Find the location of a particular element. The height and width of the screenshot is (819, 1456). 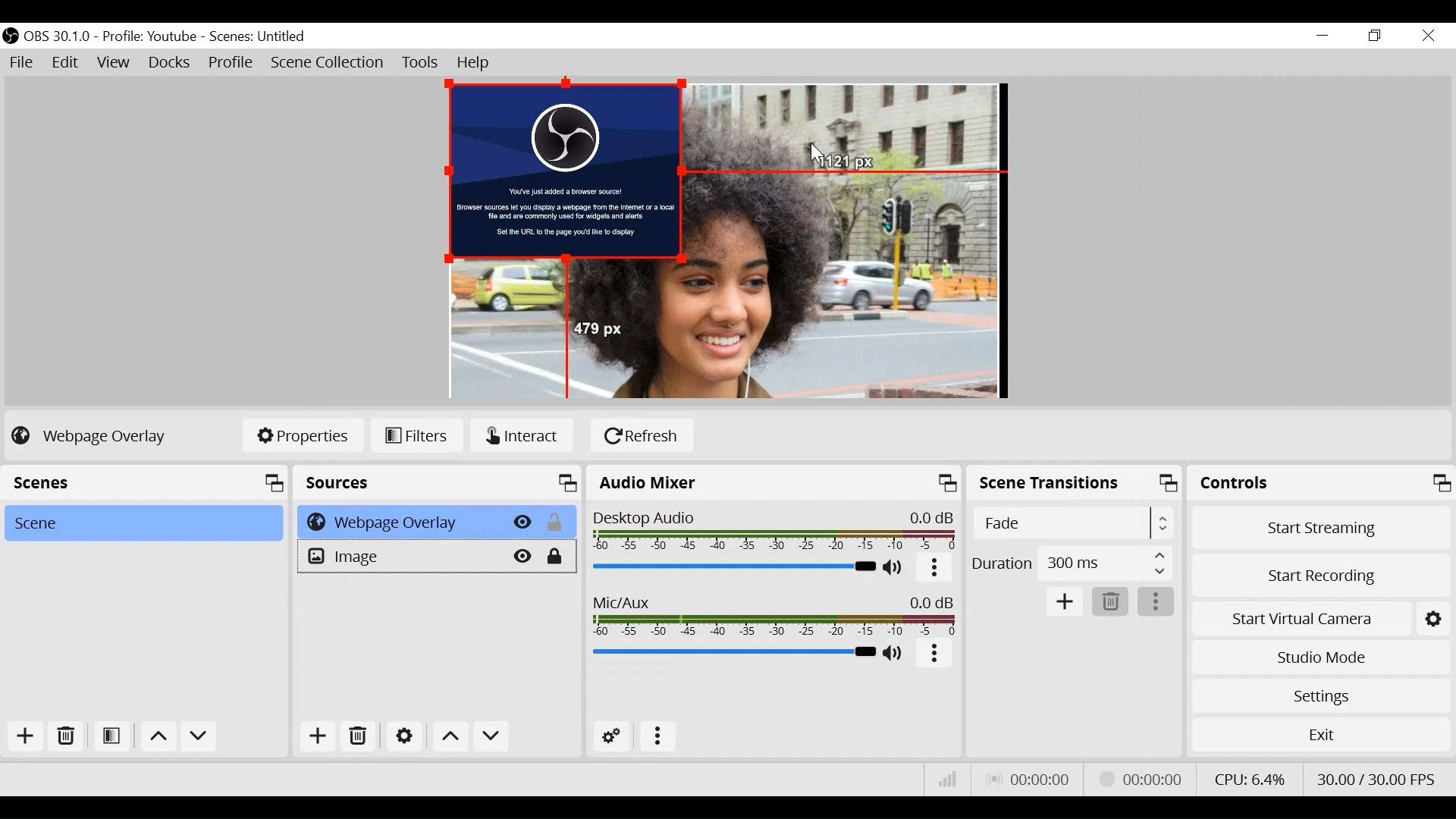

OBS Studio Desktop Icon is located at coordinates (12, 36).